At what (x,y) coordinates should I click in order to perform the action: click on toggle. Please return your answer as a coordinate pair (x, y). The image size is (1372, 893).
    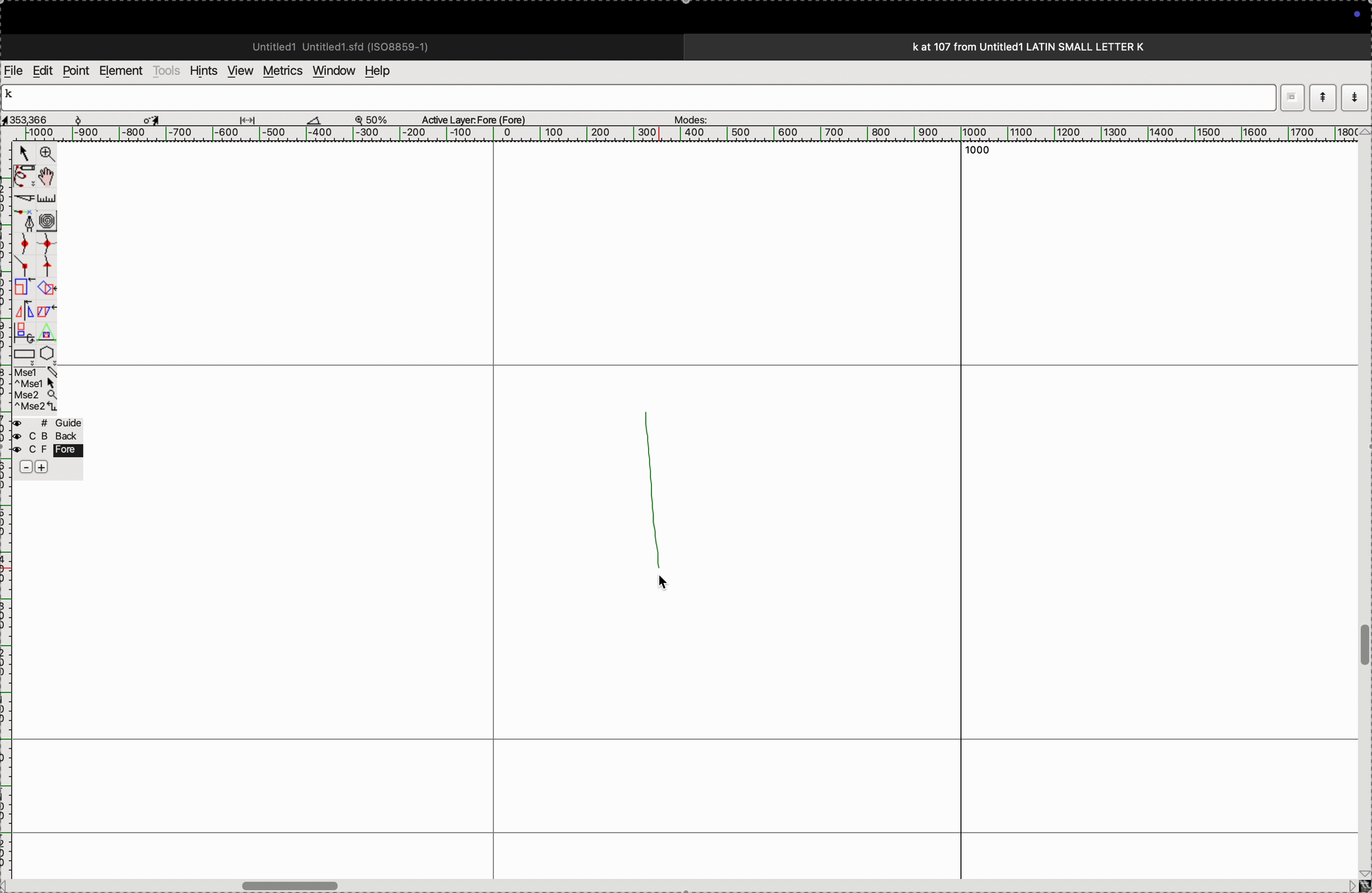
    Looking at the image, I should click on (1363, 646).